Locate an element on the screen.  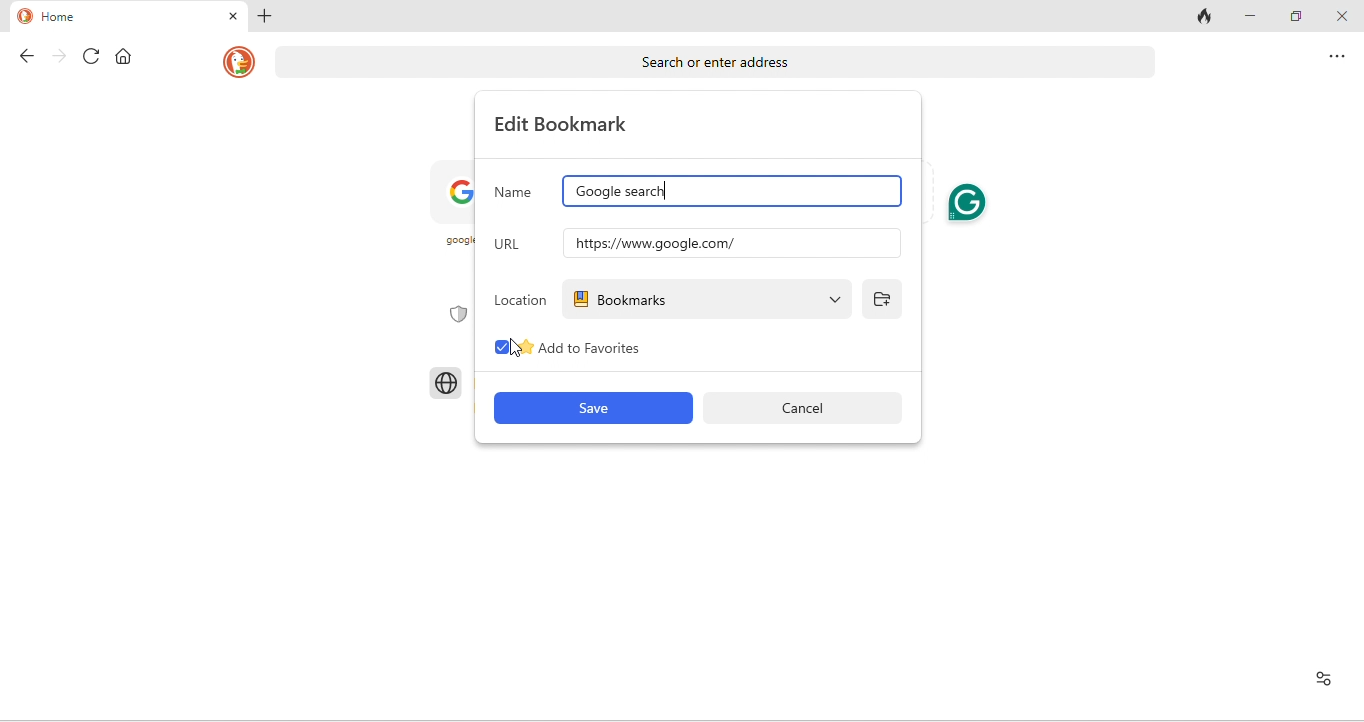
add folder is located at coordinates (885, 299).